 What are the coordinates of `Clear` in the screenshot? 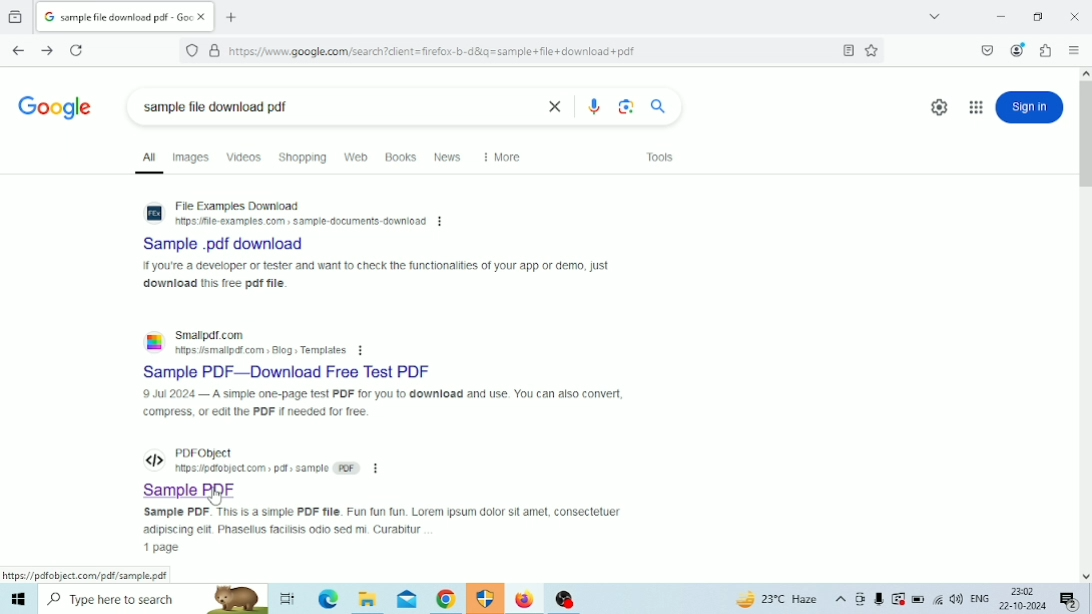 It's located at (556, 106).